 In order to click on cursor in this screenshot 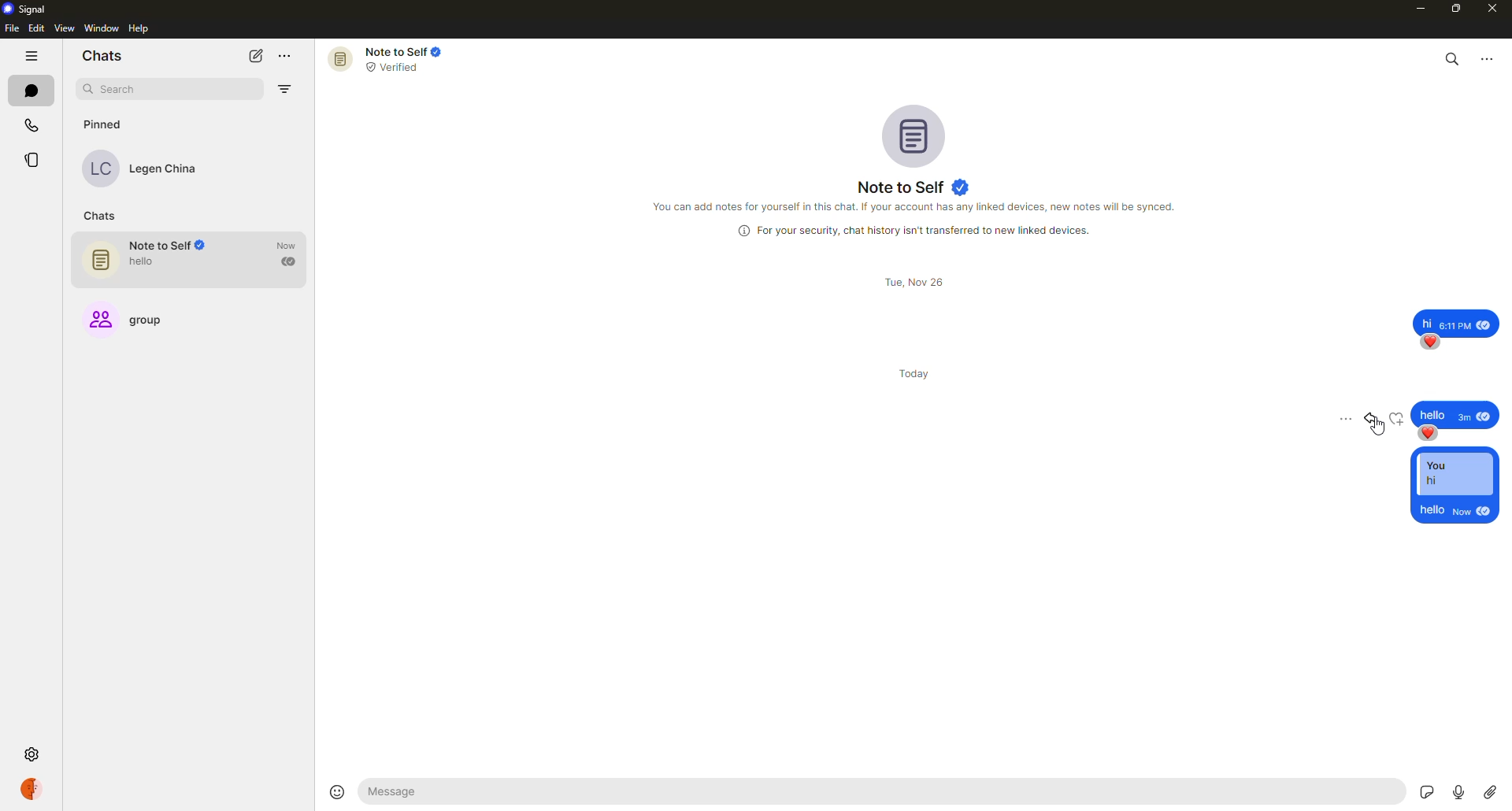, I will do `click(1378, 435)`.